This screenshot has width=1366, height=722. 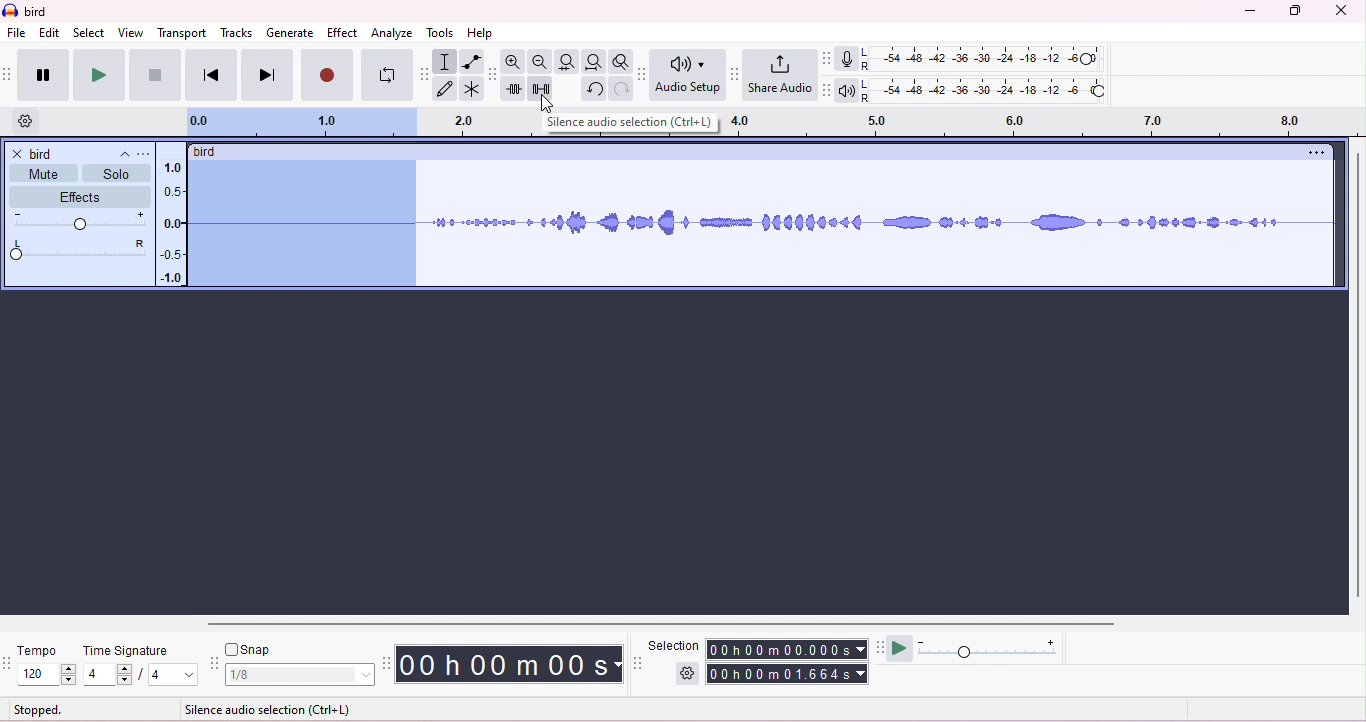 What do you see at coordinates (129, 650) in the screenshot?
I see `time signature` at bounding box center [129, 650].